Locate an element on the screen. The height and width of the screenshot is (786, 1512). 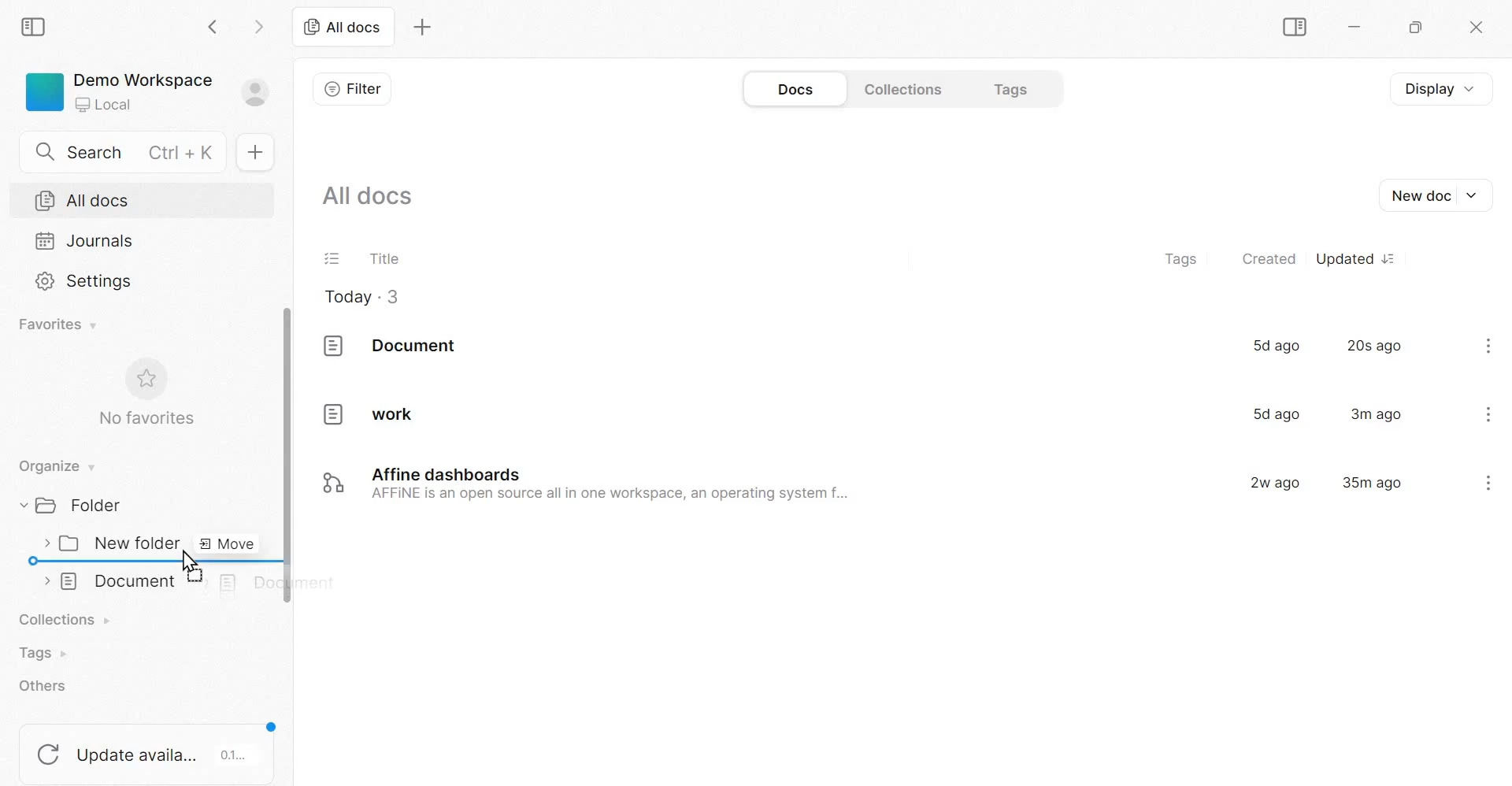
All docs is located at coordinates (84, 201).